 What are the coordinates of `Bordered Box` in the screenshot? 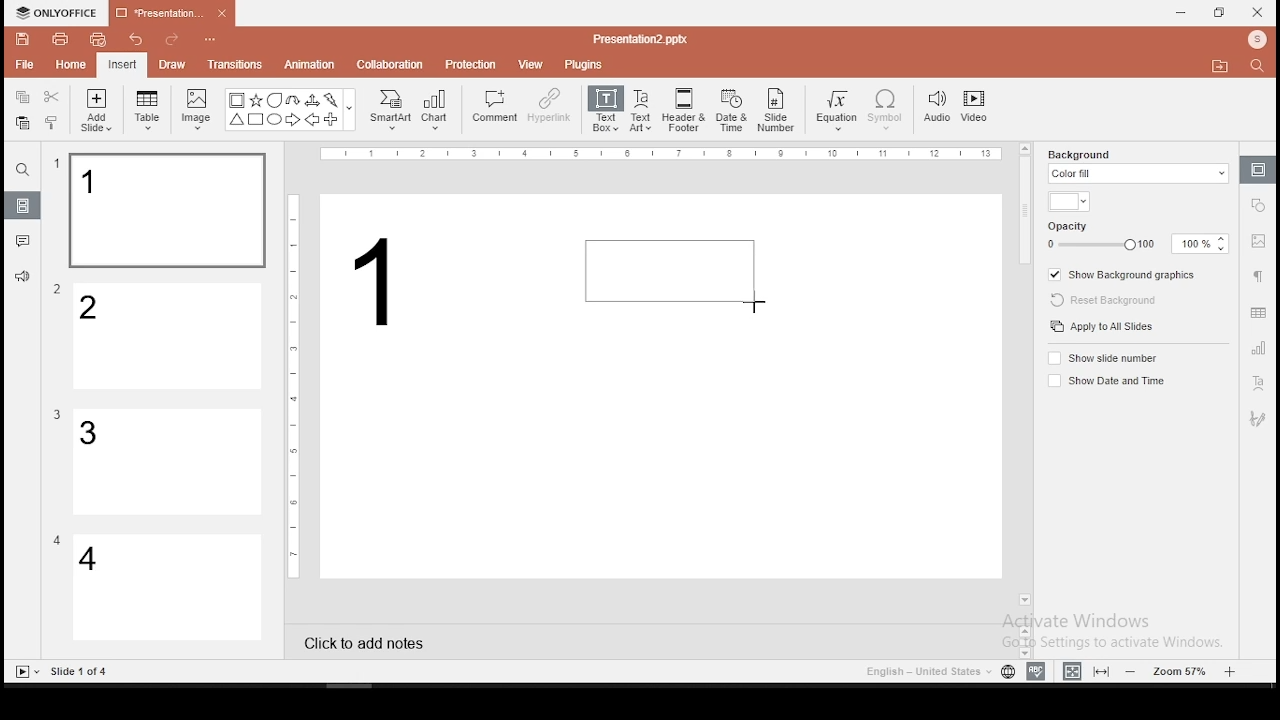 It's located at (237, 100).